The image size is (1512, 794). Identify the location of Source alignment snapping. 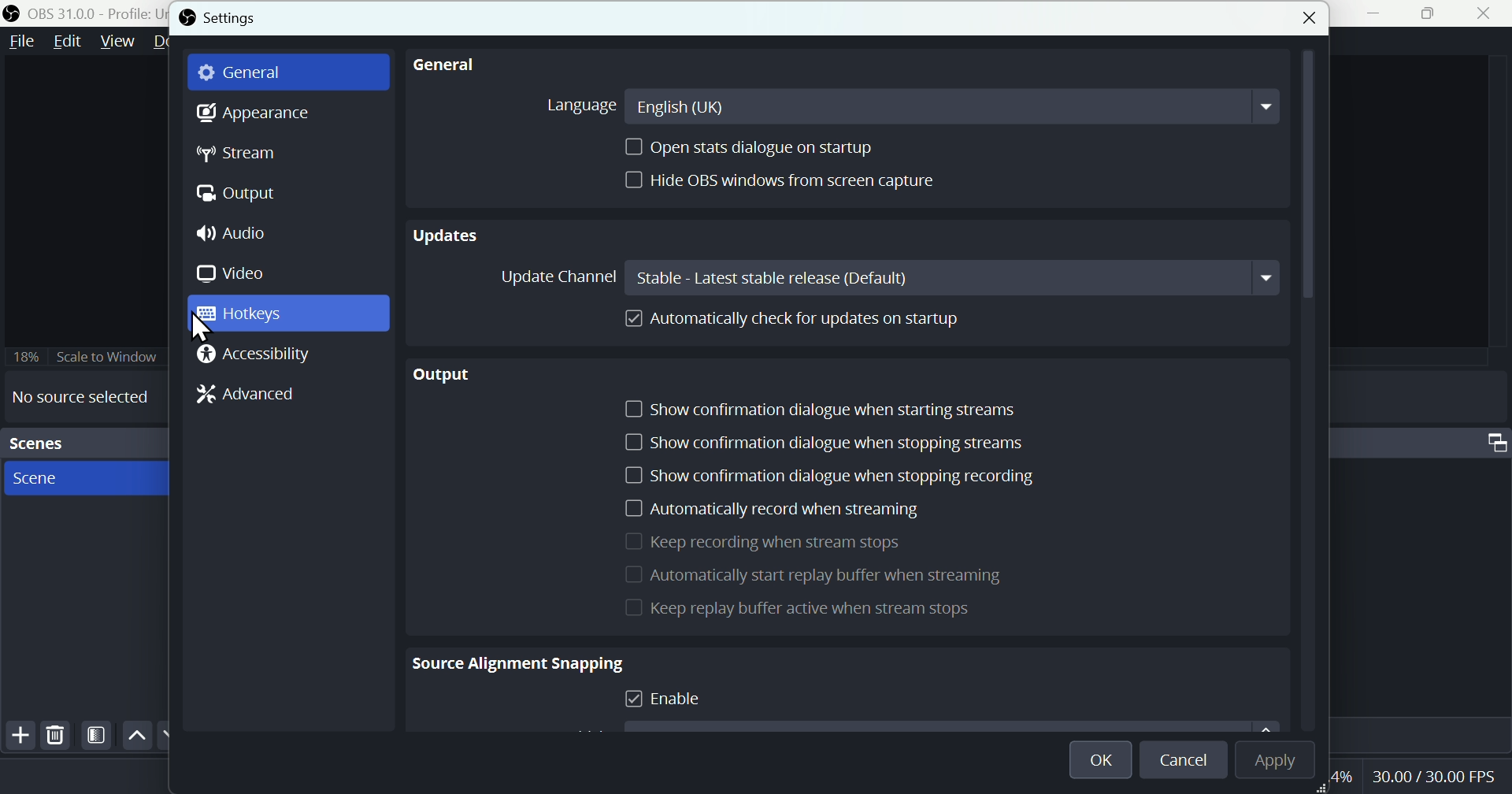
(521, 667).